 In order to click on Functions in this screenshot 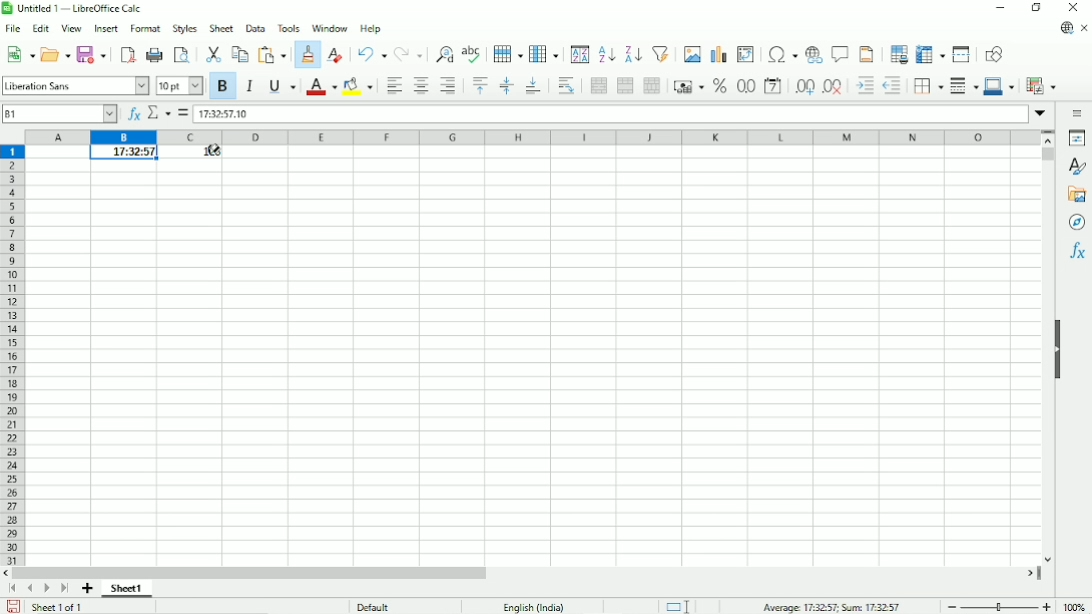, I will do `click(1076, 252)`.